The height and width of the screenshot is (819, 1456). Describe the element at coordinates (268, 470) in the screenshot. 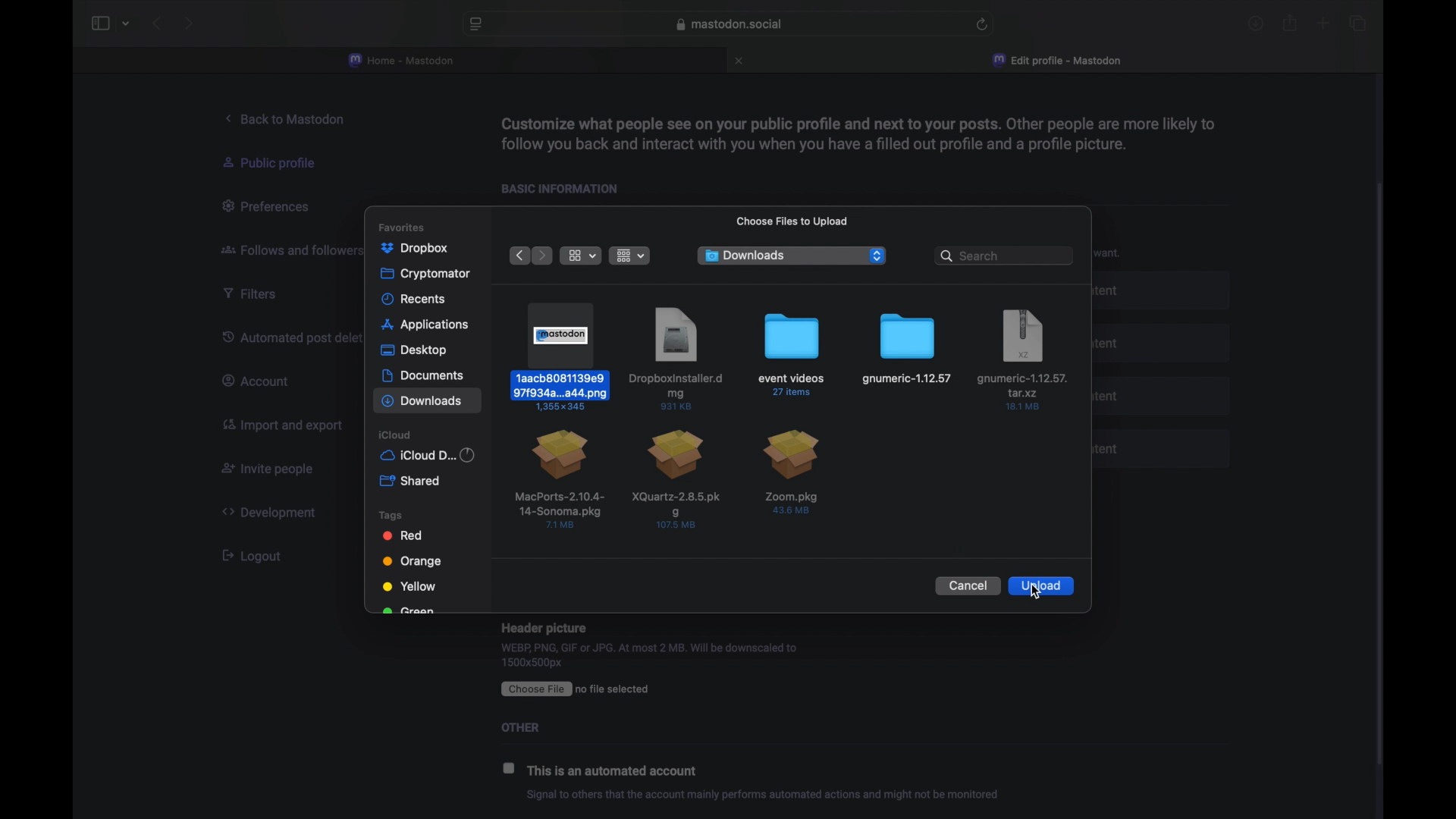

I see `invite people` at that location.